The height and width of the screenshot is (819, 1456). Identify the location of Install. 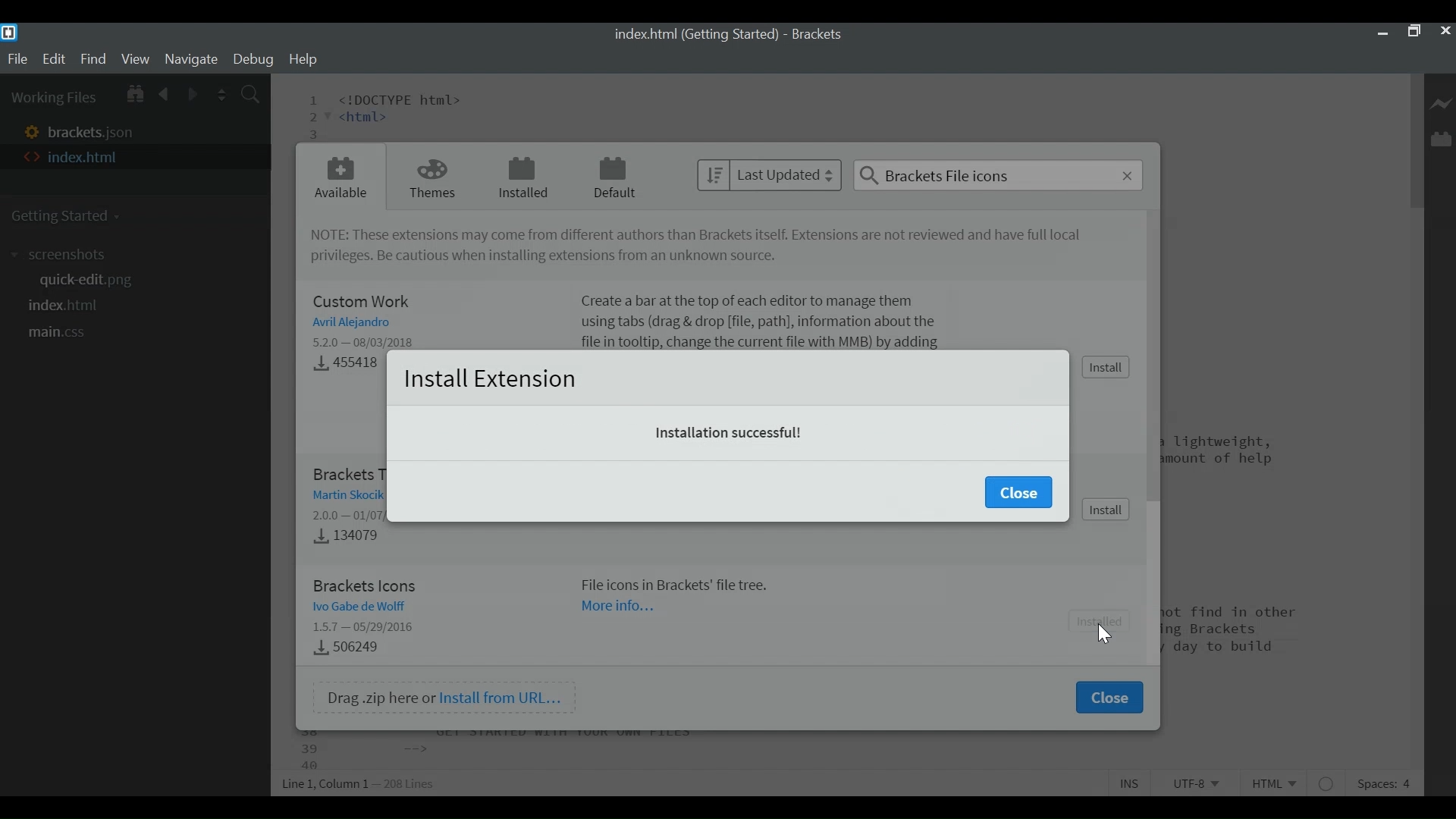
(1108, 620).